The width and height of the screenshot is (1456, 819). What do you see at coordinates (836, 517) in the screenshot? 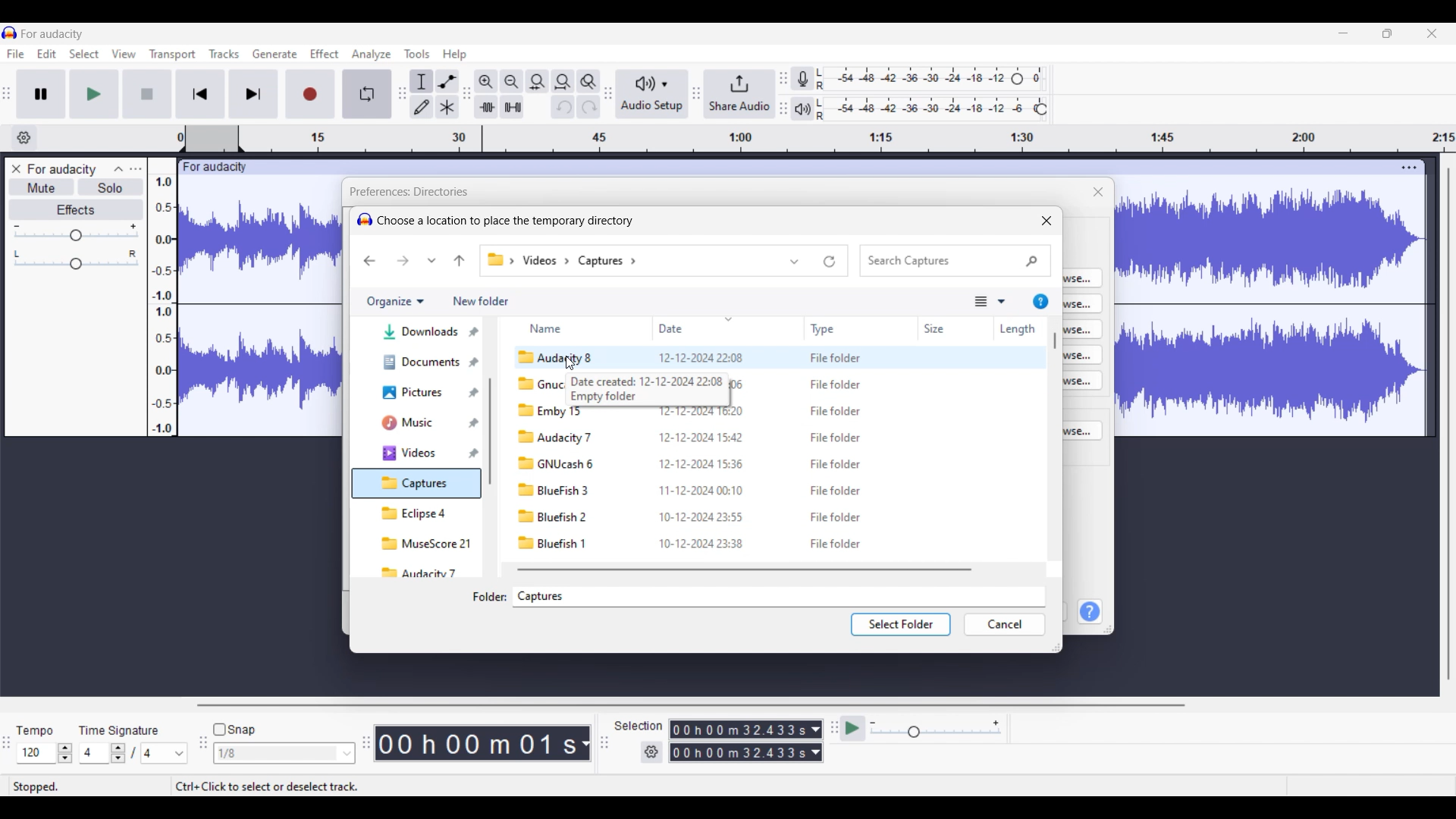
I see `file folder` at bounding box center [836, 517].